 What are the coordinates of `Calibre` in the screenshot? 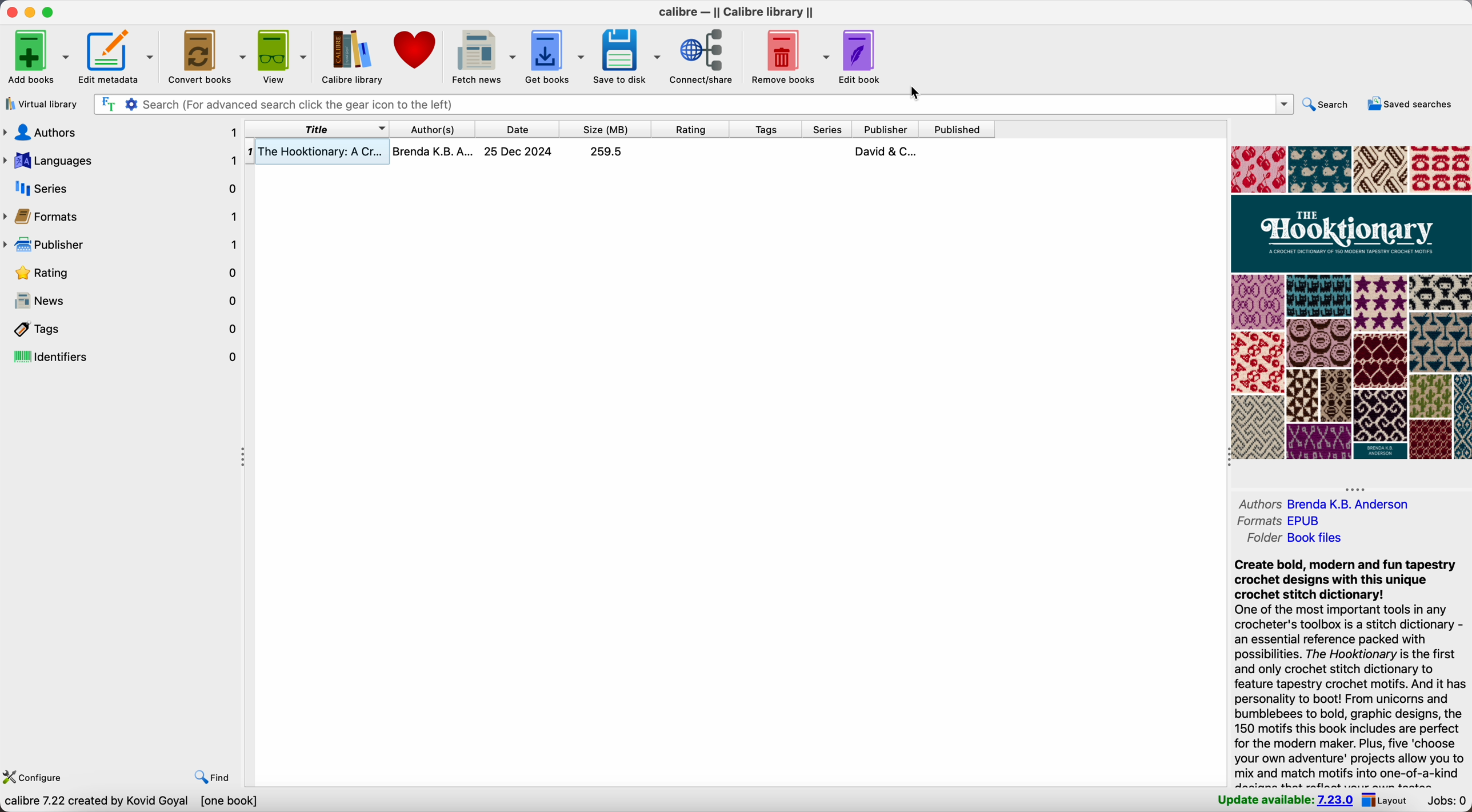 It's located at (735, 10).